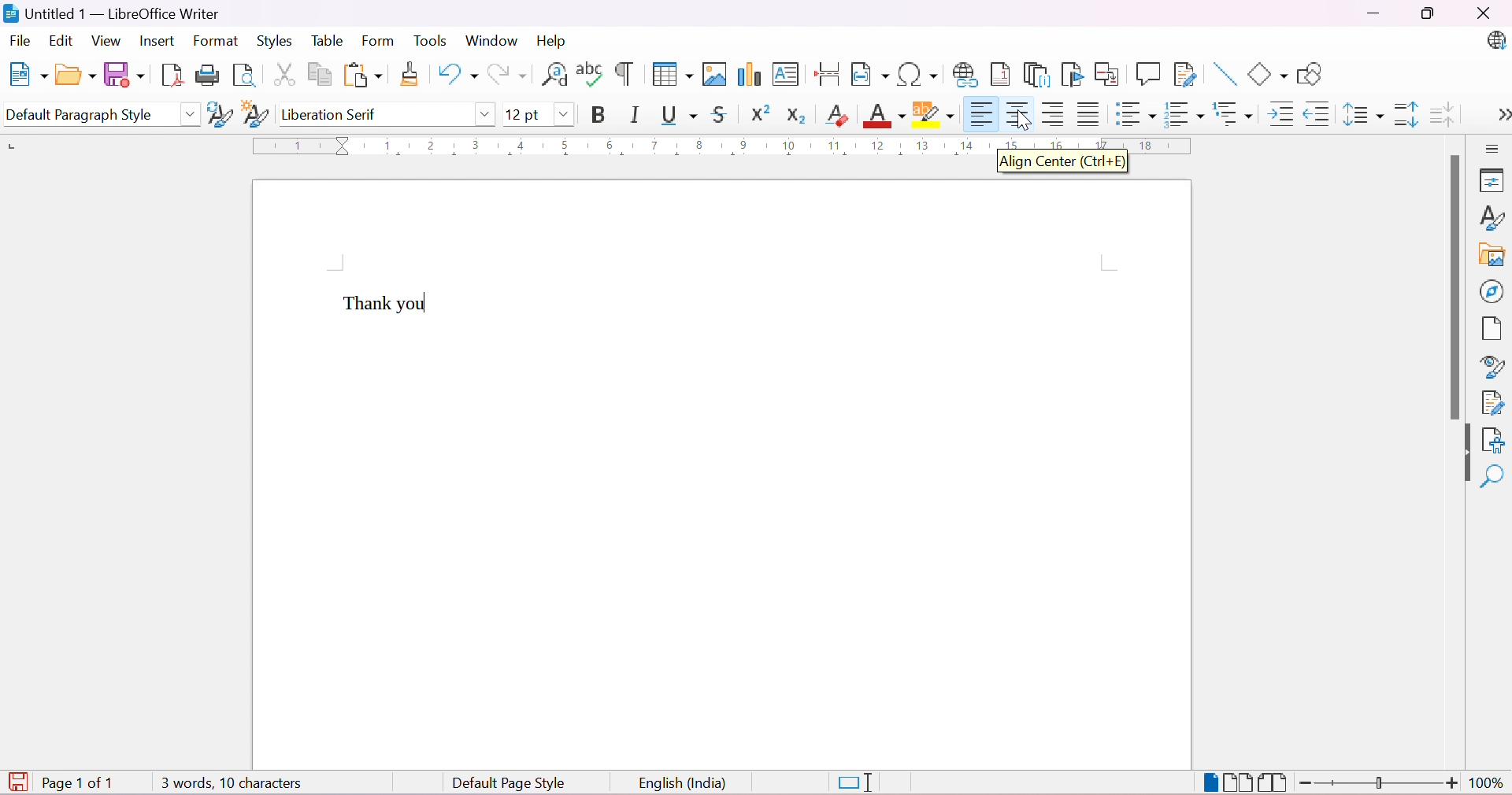 This screenshot has width=1512, height=795. What do you see at coordinates (624, 74) in the screenshot?
I see `Toggle Formatting Marks` at bounding box center [624, 74].